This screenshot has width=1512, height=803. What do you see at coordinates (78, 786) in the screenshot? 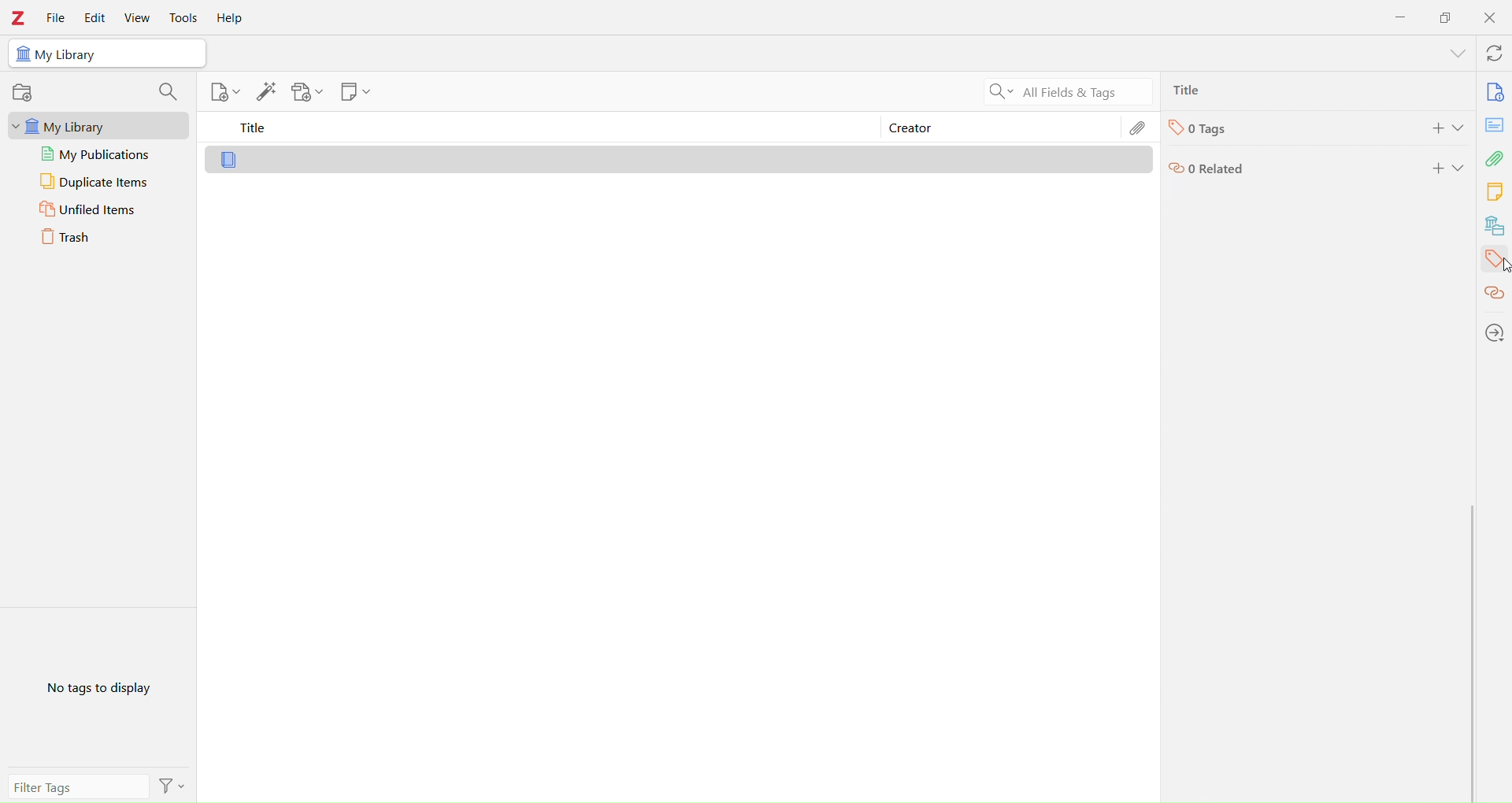
I see `Filter Tags` at bounding box center [78, 786].